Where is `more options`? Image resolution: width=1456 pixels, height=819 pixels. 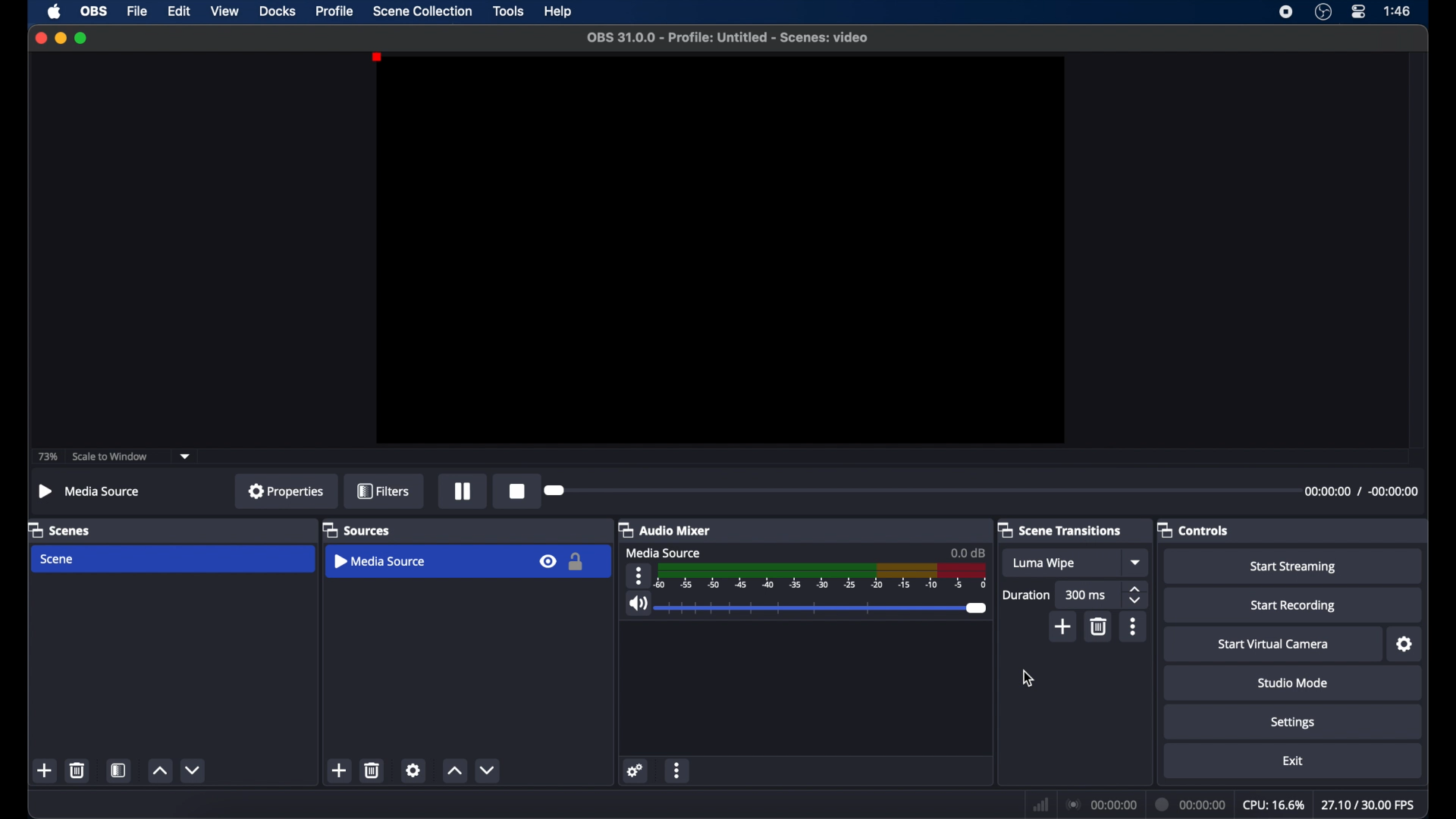 more options is located at coordinates (639, 576).